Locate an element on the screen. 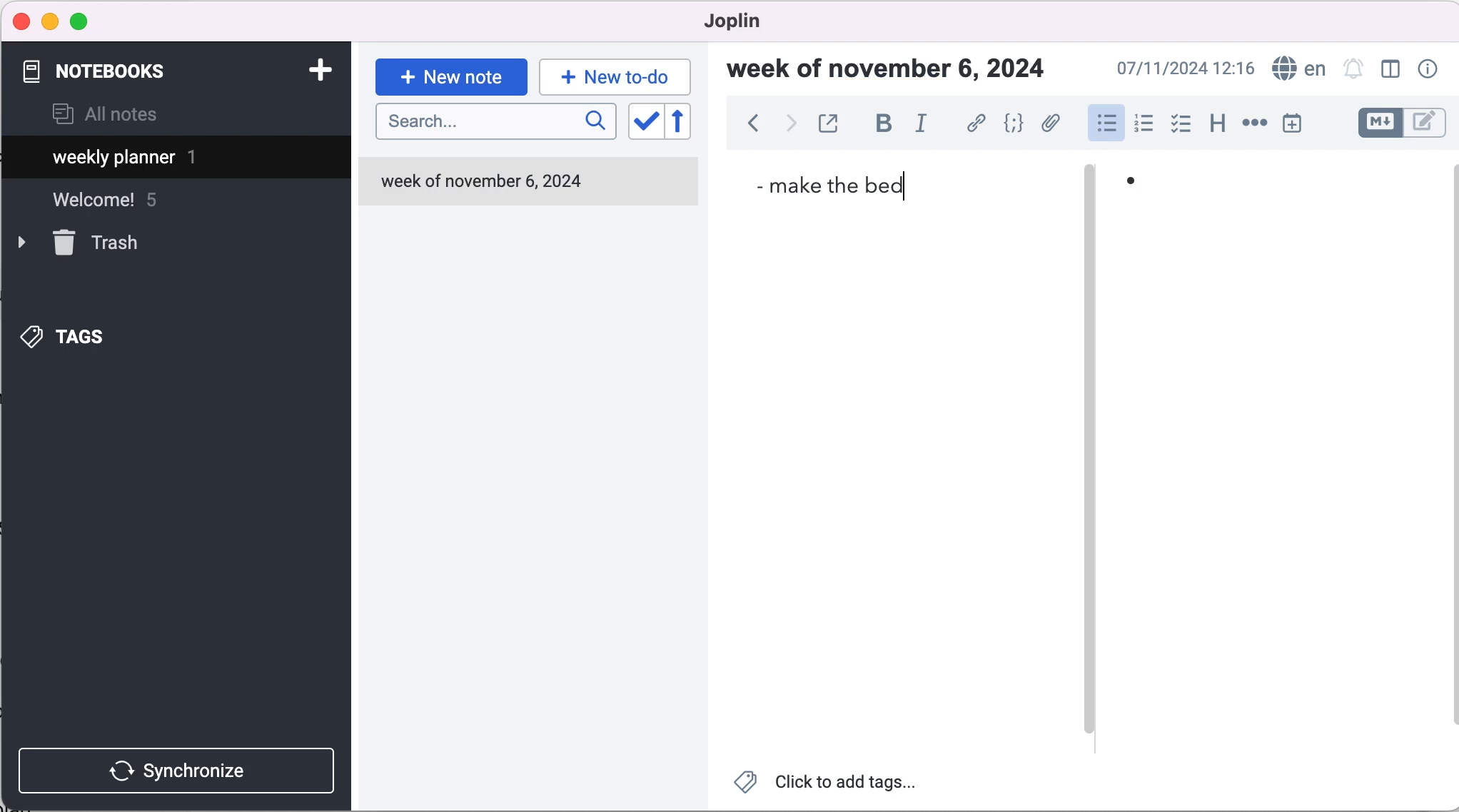 This screenshot has width=1459, height=812. numbered list is located at coordinates (1143, 126).